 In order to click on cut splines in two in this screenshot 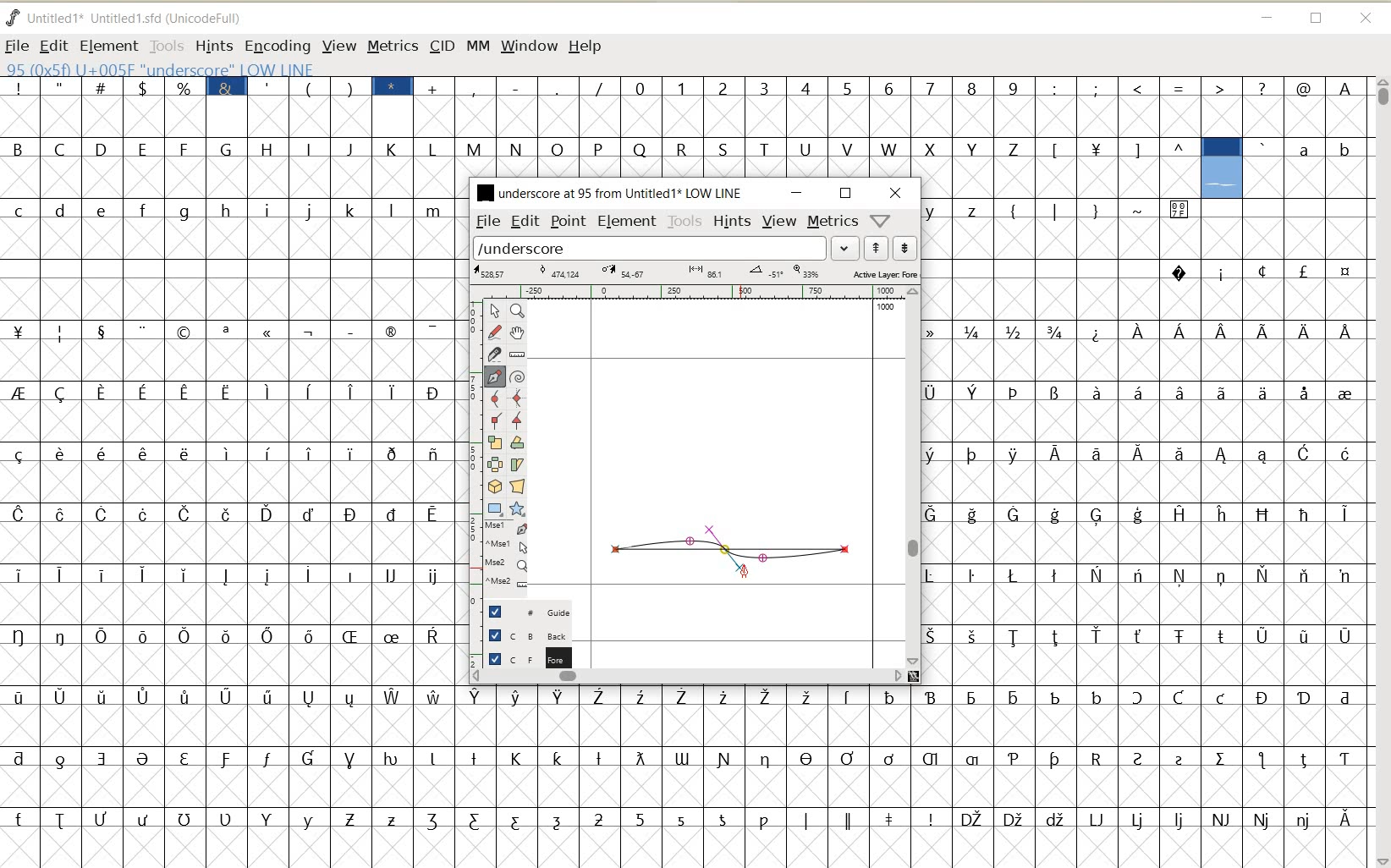, I will do `click(492, 354)`.